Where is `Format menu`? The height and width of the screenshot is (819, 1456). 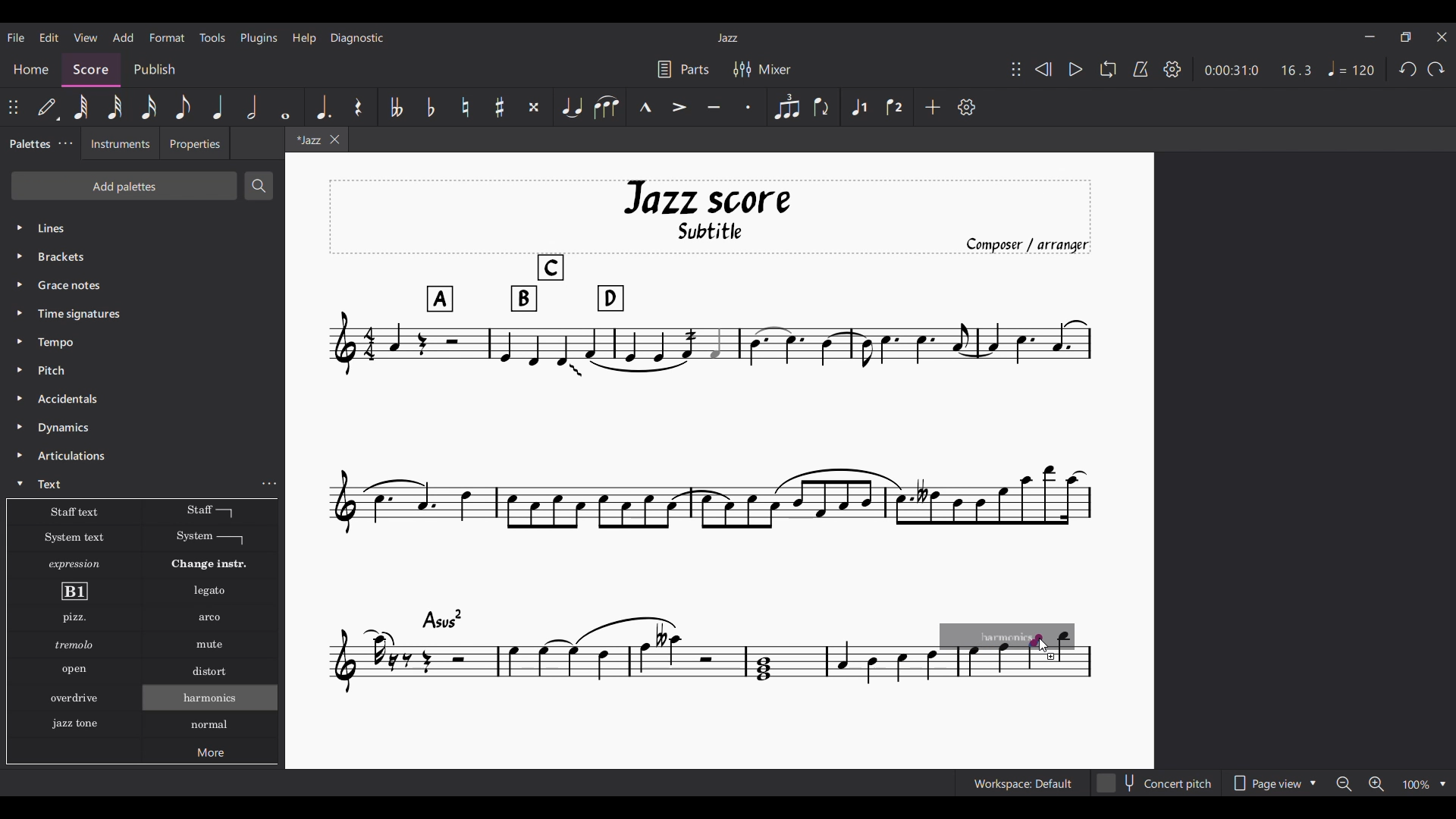 Format menu is located at coordinates (168, 38).